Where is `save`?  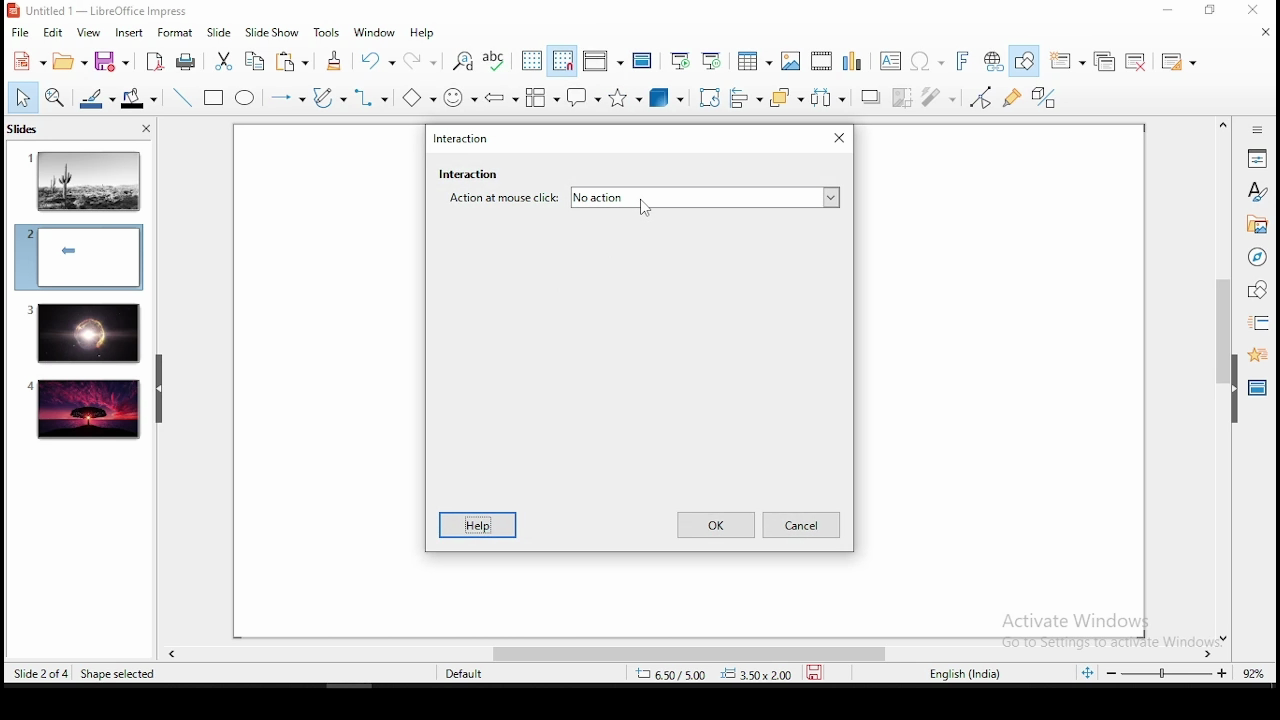 save is located at coordinates (819, 672).